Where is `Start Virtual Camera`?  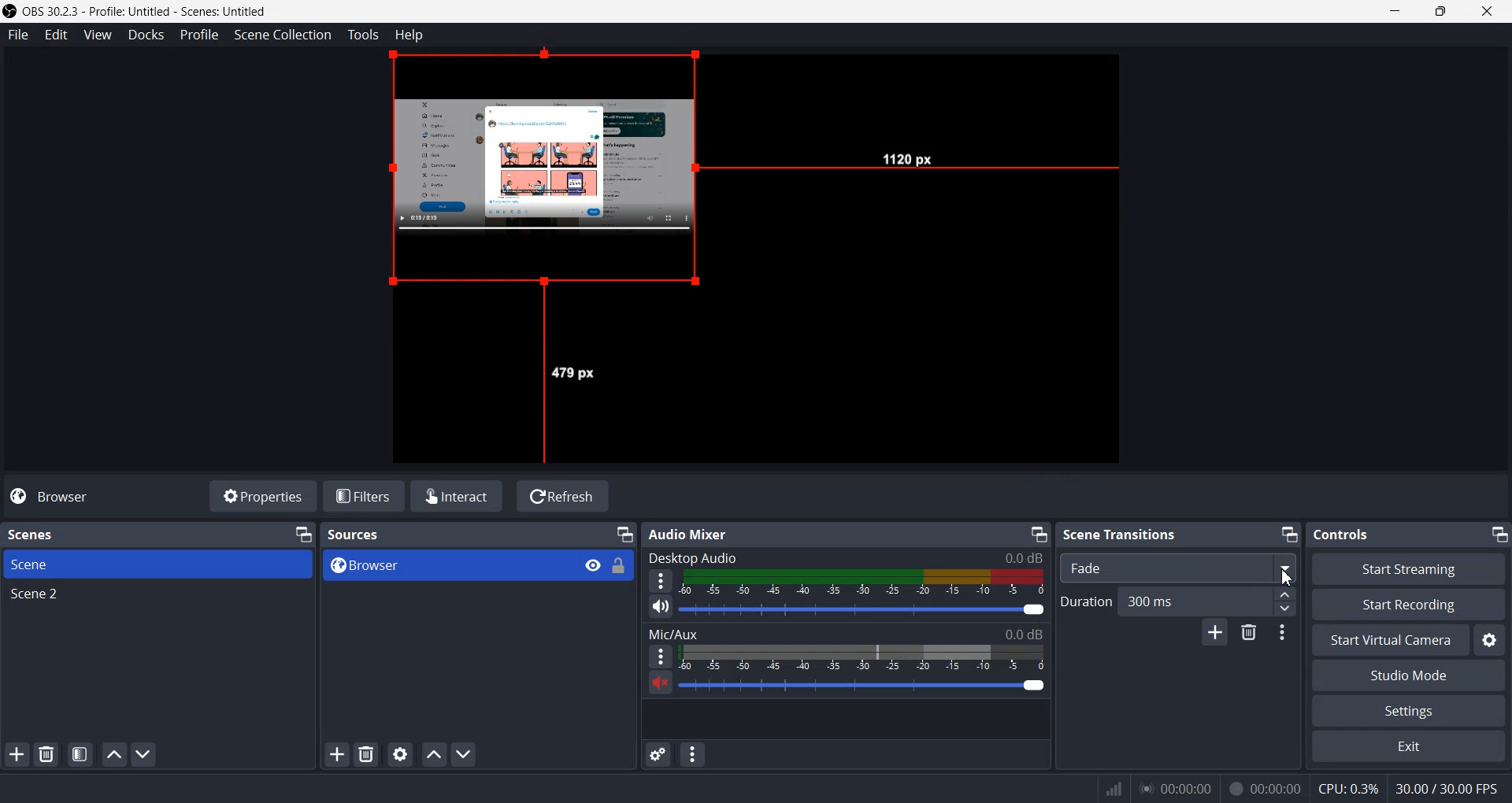
Start Virtual Camera is located at coordinates (1389, 640).